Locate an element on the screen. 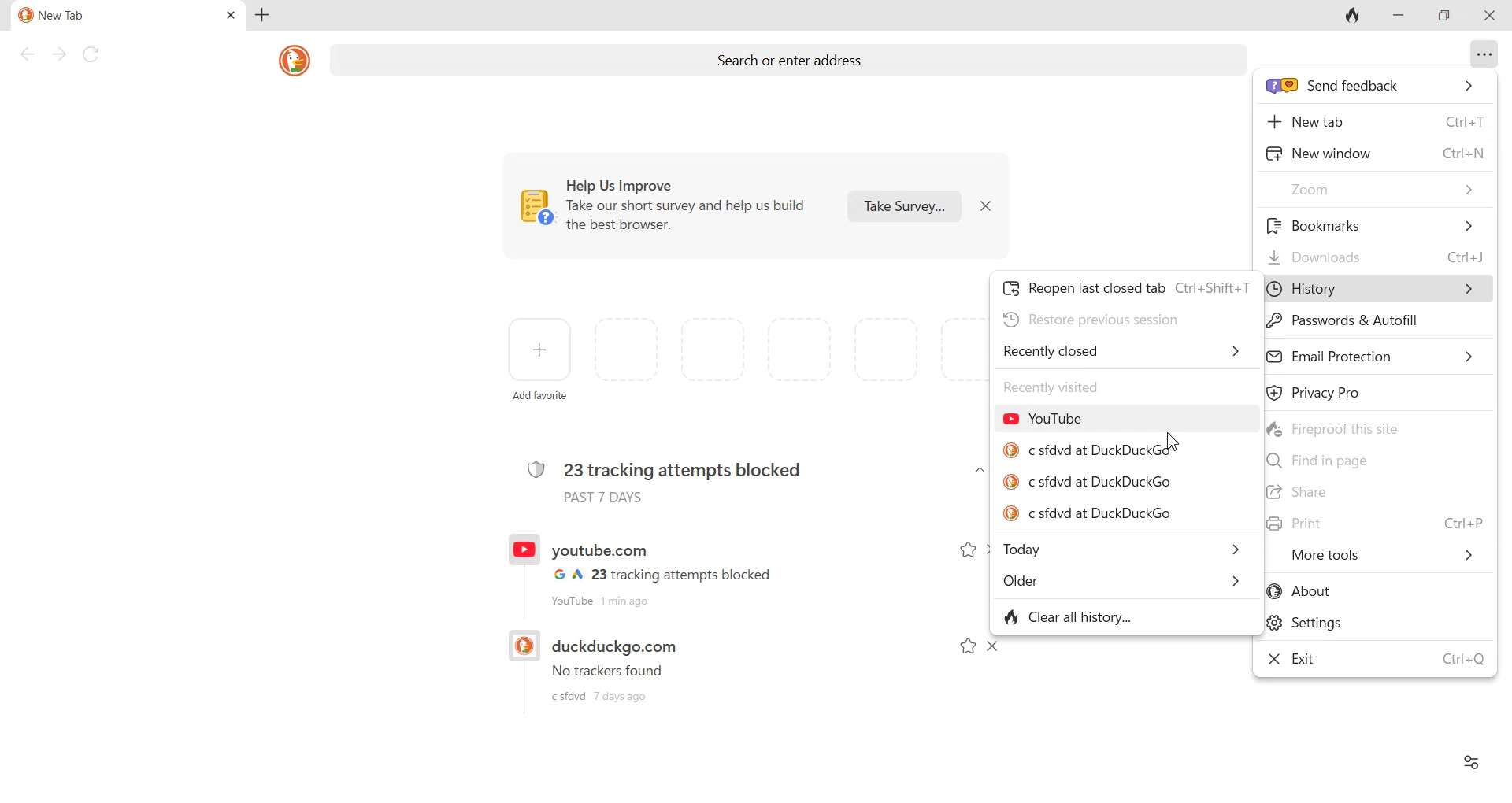  space for adding favorites is located at coordinates (788, 351).